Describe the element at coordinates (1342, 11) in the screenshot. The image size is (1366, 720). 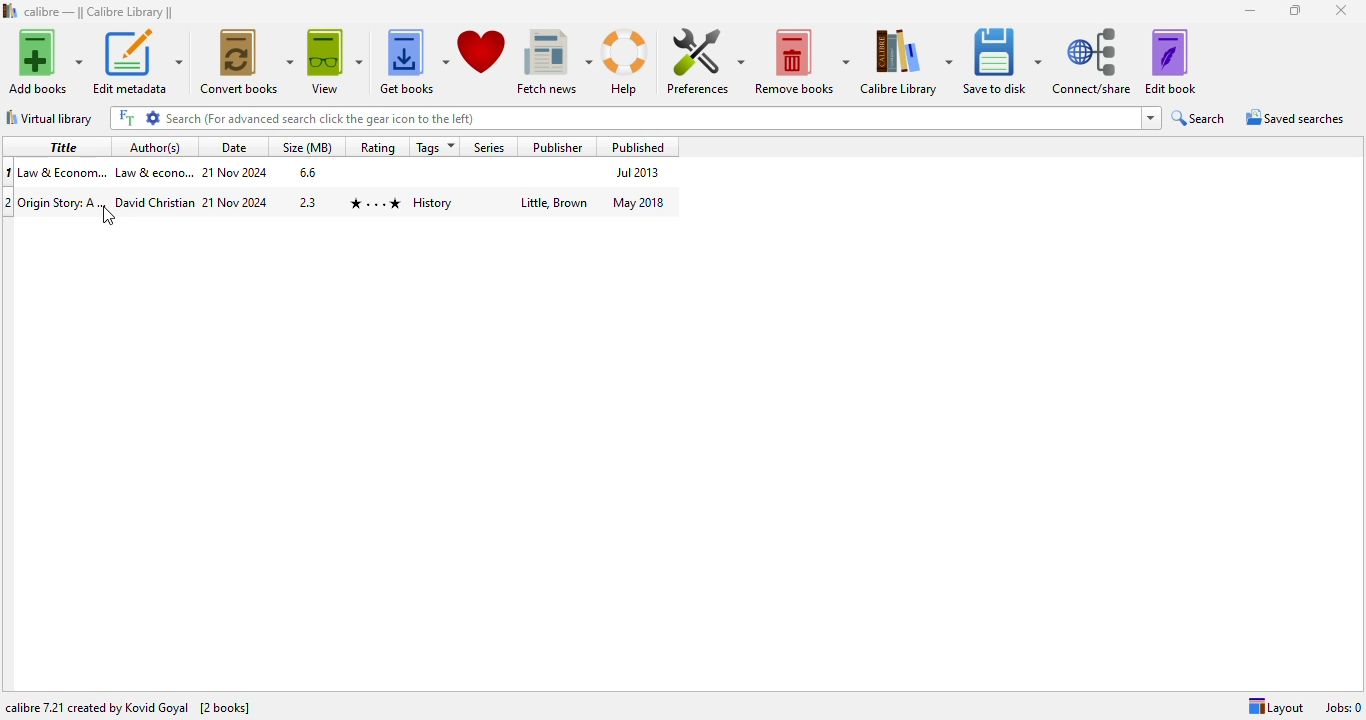
I see `close` at that location.